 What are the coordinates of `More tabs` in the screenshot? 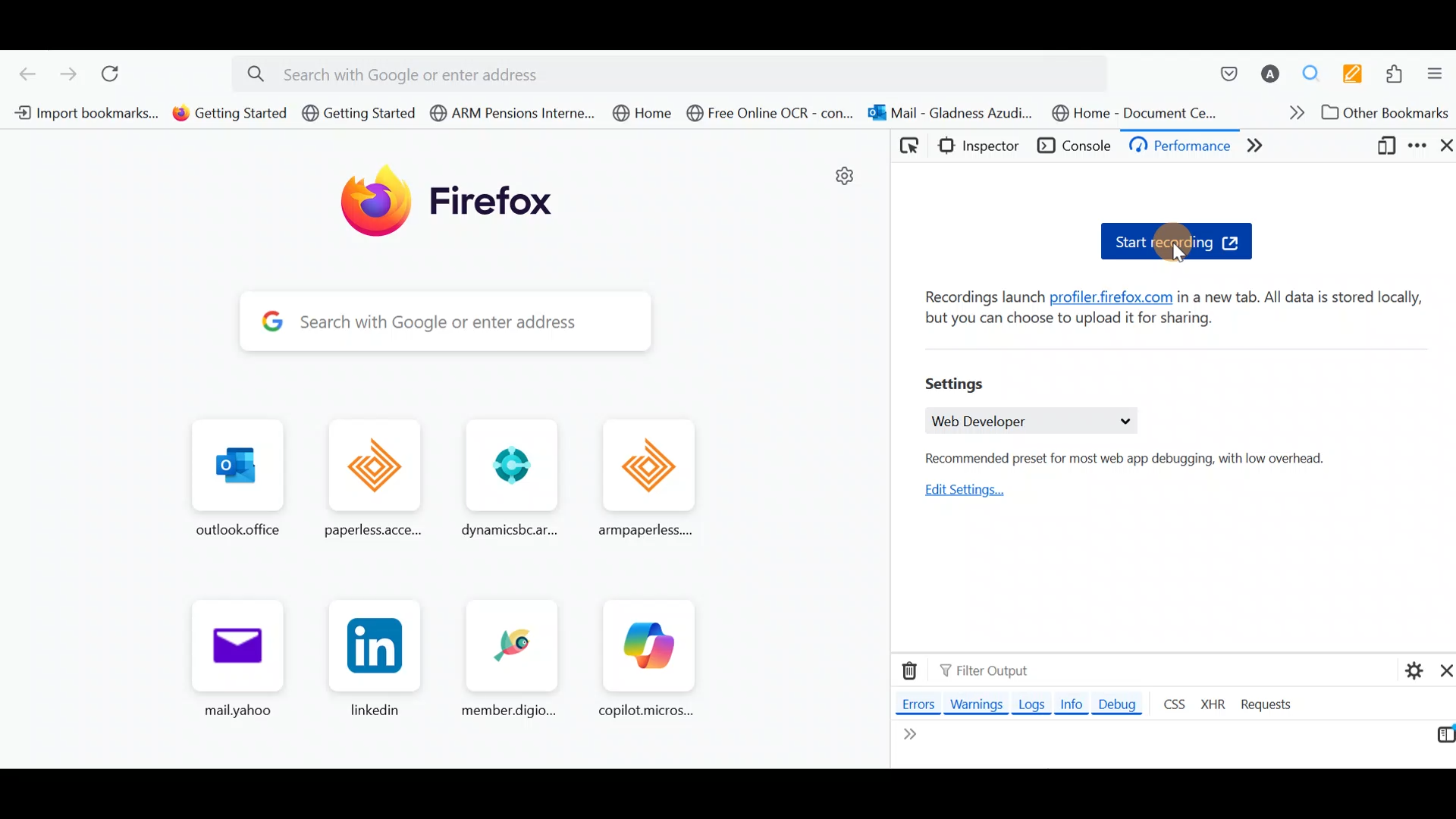 It's located at (1339, 146).